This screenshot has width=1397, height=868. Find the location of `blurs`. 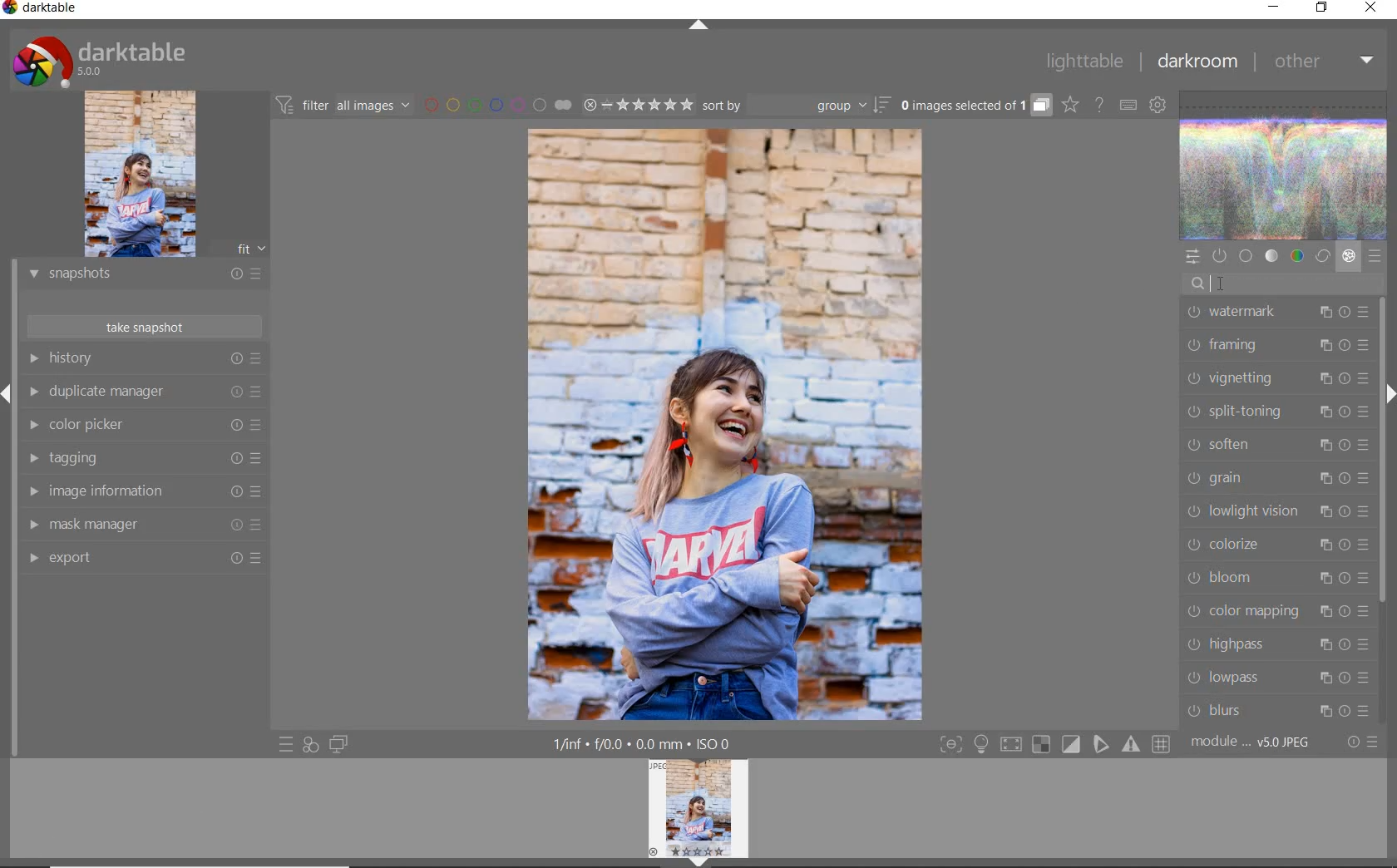

blurs is located at coordinates (1283, 710).